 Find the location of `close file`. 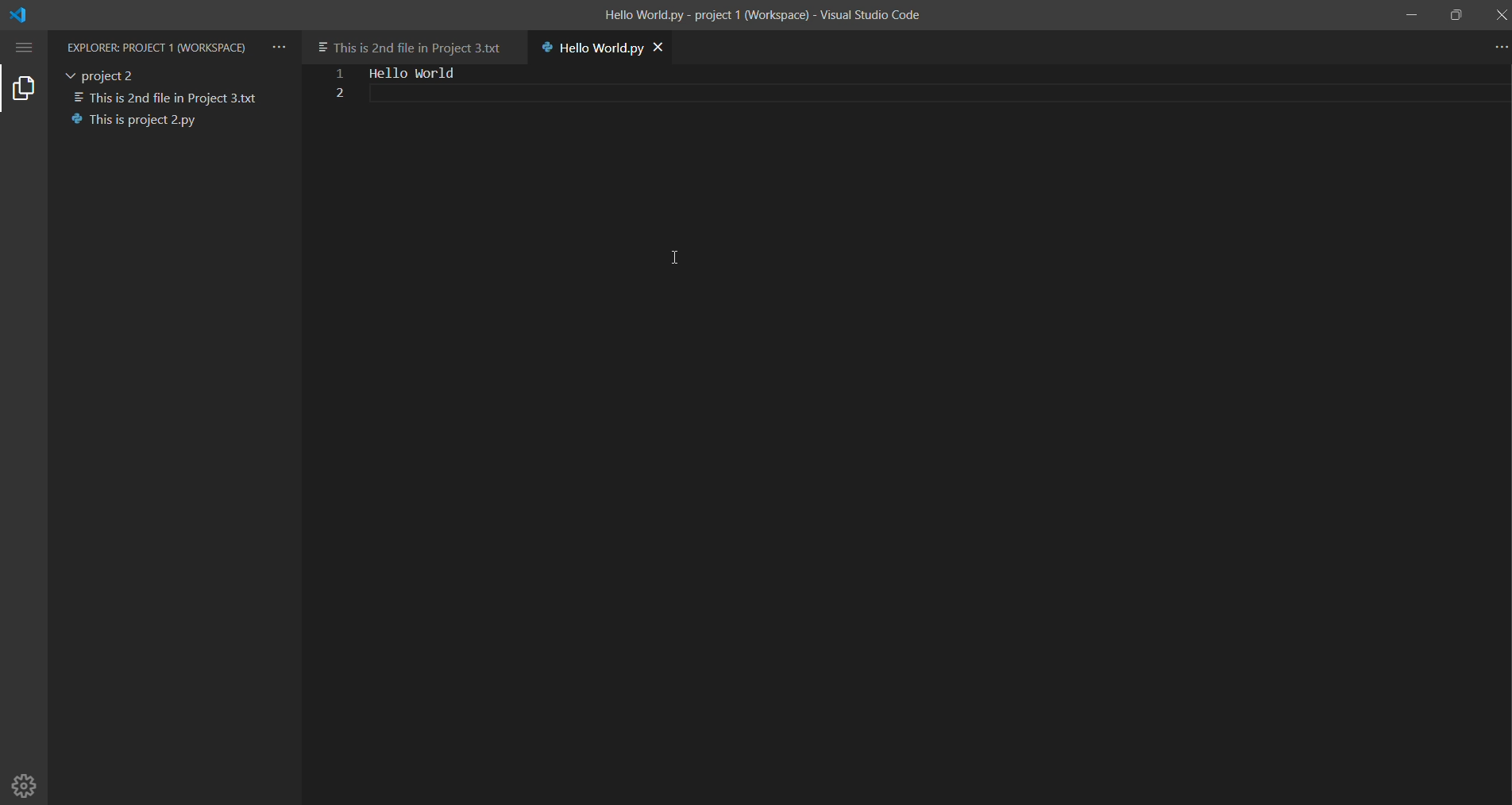

close file is located at coordinates (671, 48).